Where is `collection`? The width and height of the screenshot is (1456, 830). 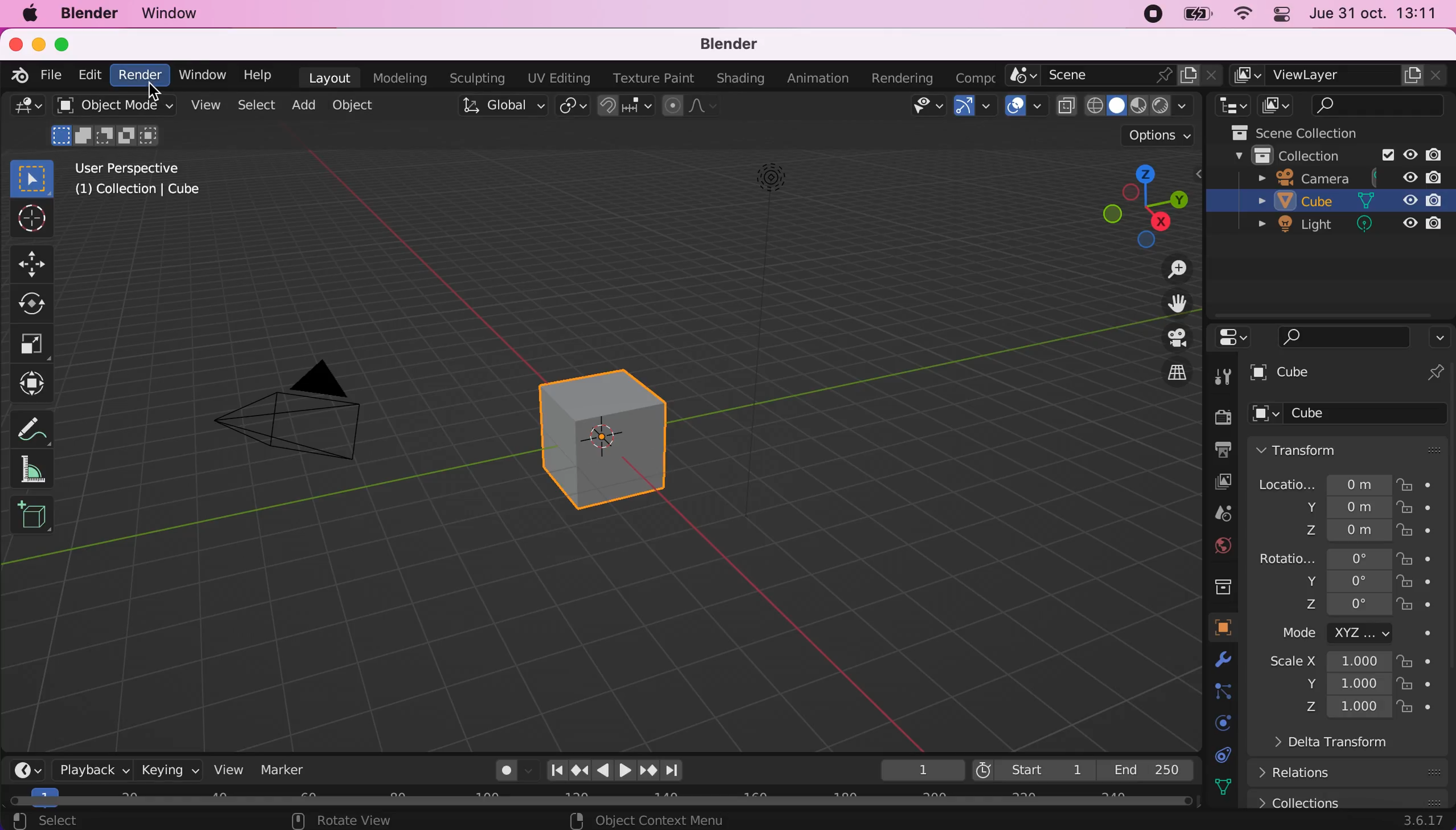 collection is located at coordinates (1328, 154).